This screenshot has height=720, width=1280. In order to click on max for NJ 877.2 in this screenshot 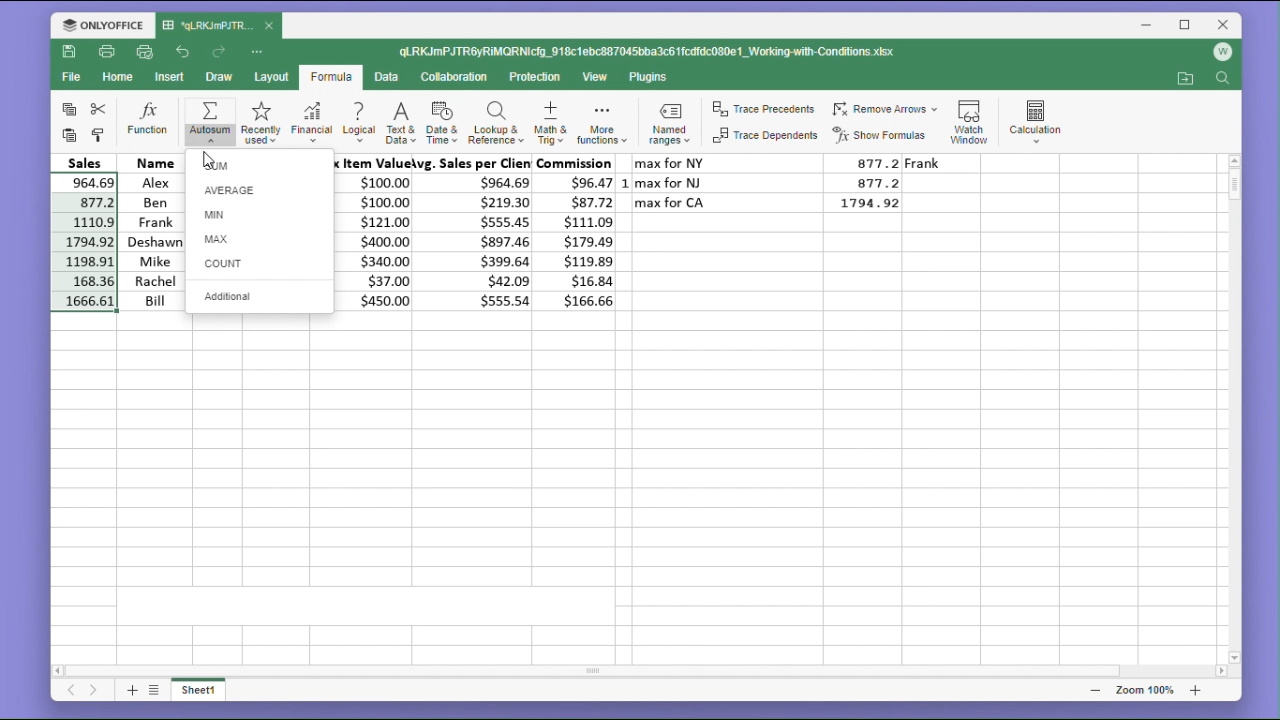, I will do `click(774, 182)`.